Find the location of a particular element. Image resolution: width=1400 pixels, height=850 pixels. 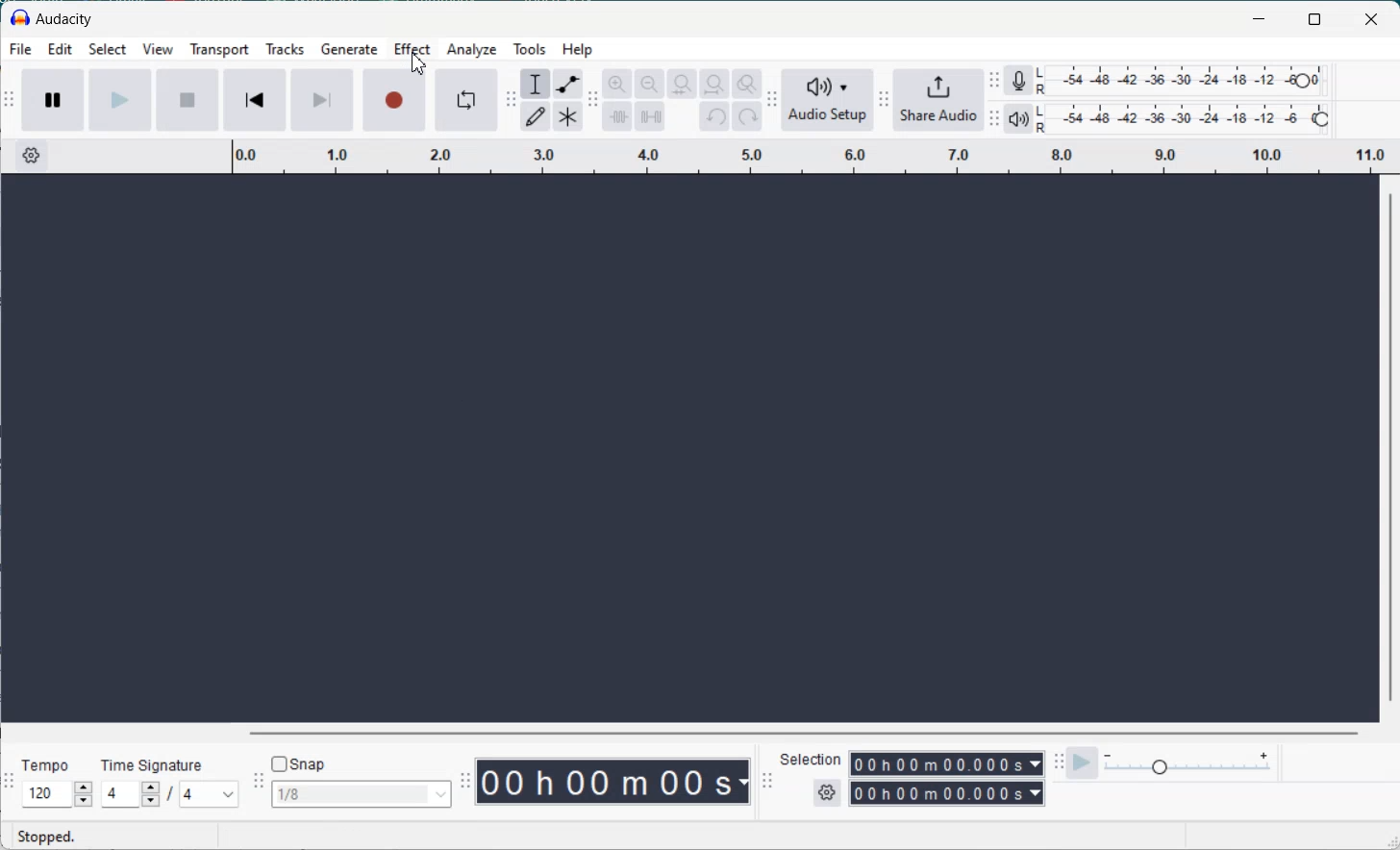

Click and drag to a define a looping regions is located at coordinates (814, 154).